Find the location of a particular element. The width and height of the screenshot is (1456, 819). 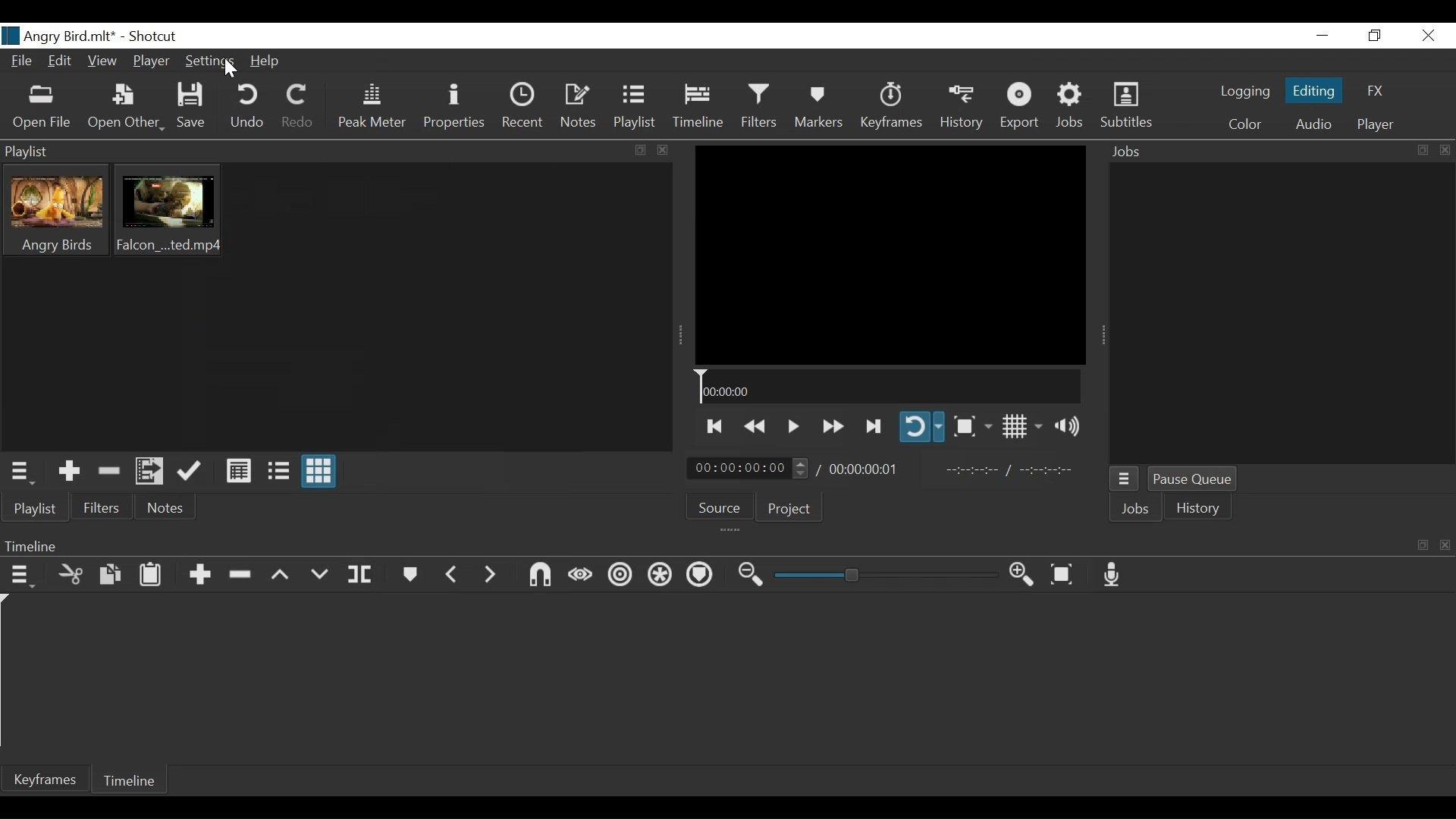

Jobs Panel is located at coordinates (1282, 314).